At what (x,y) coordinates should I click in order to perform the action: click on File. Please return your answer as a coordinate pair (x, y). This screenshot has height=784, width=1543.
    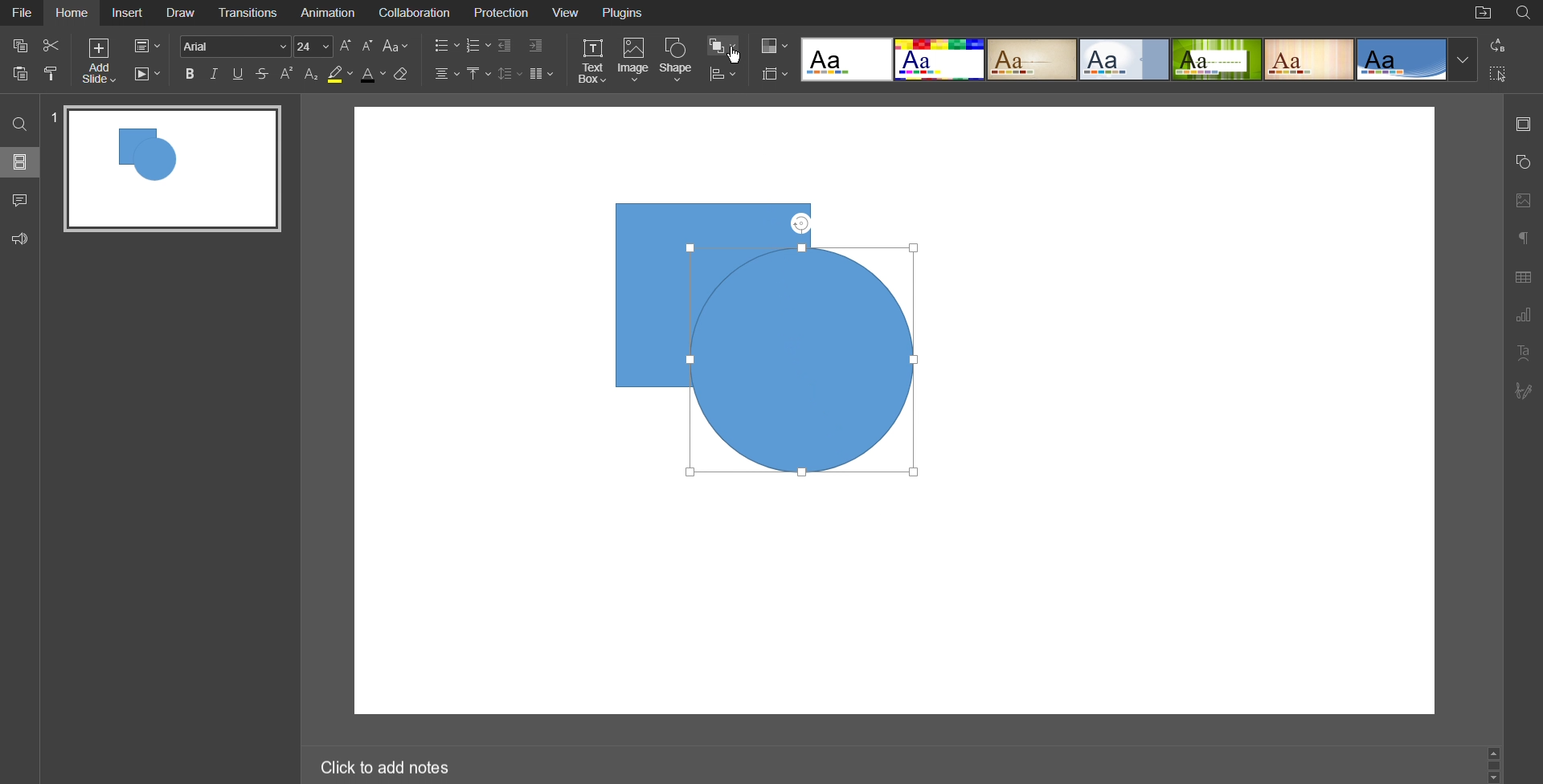
    Looking at the image, I should click on (21, 13).